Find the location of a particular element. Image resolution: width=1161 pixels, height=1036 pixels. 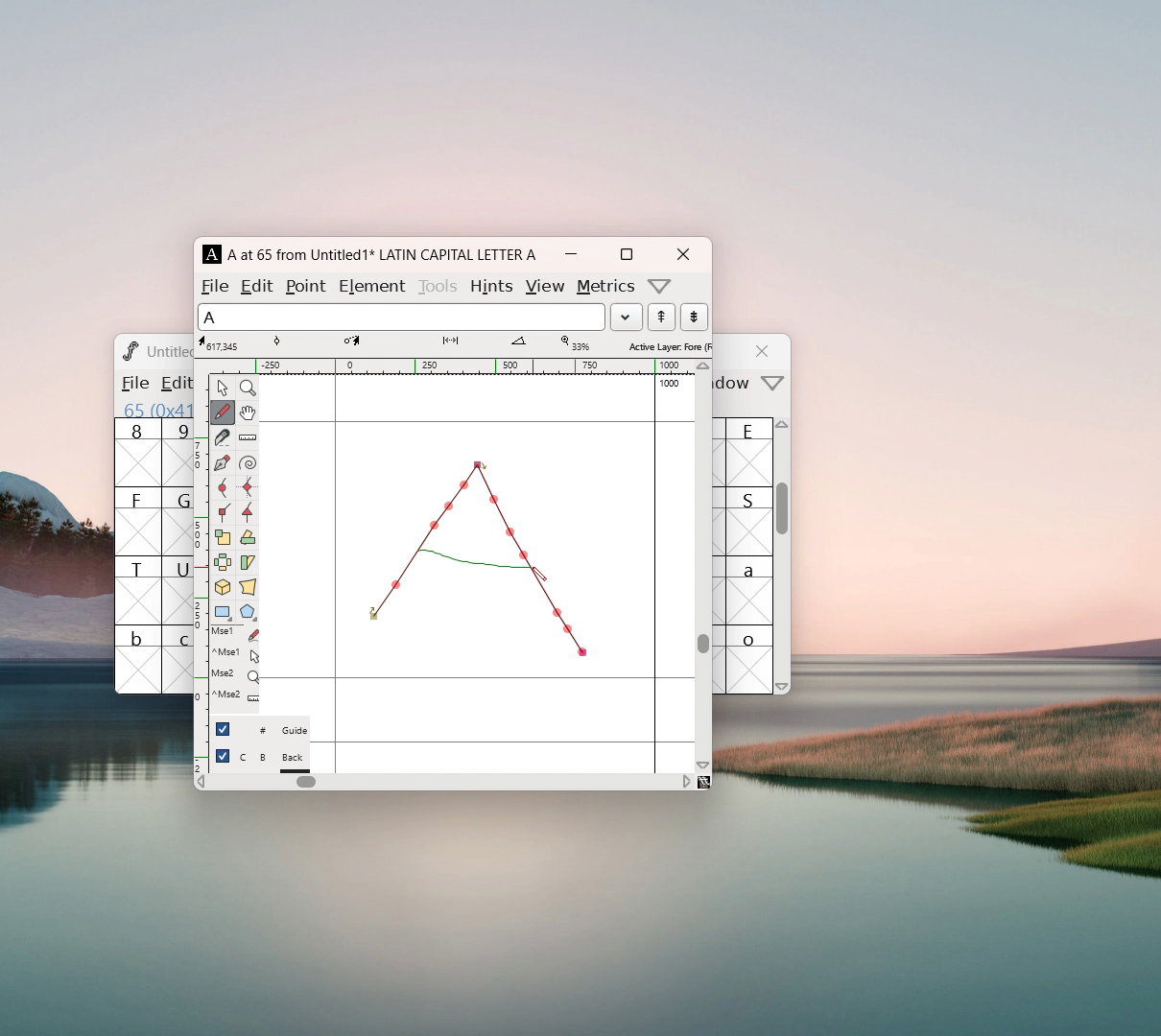

scroll down is located at coordinates (783, 686).